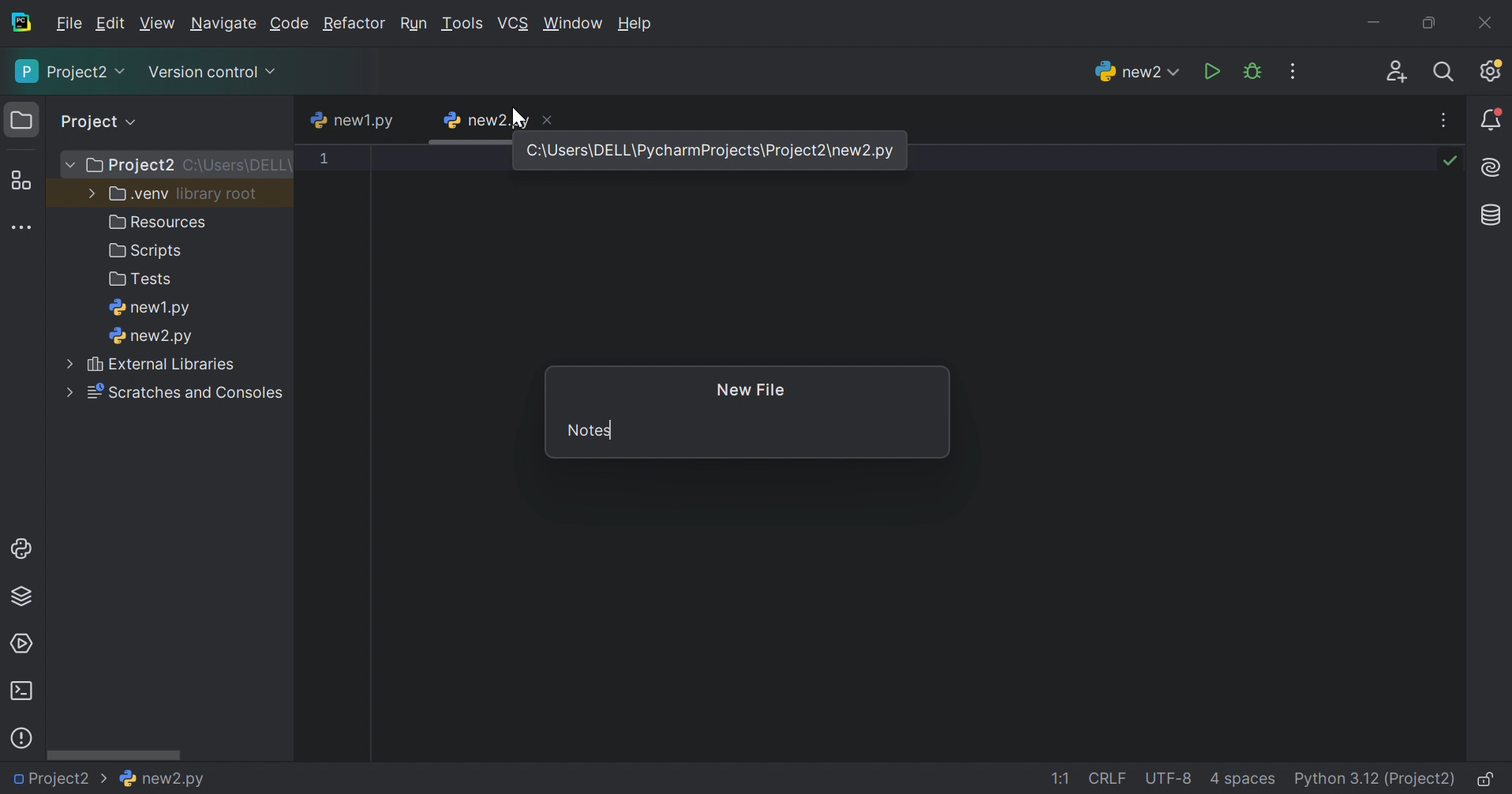 The width and height of the screenshot is (1512, 794). What do you see at coordinates (413, 24) in the screenshot?
I see `Run` at bounding box center [413, 24].